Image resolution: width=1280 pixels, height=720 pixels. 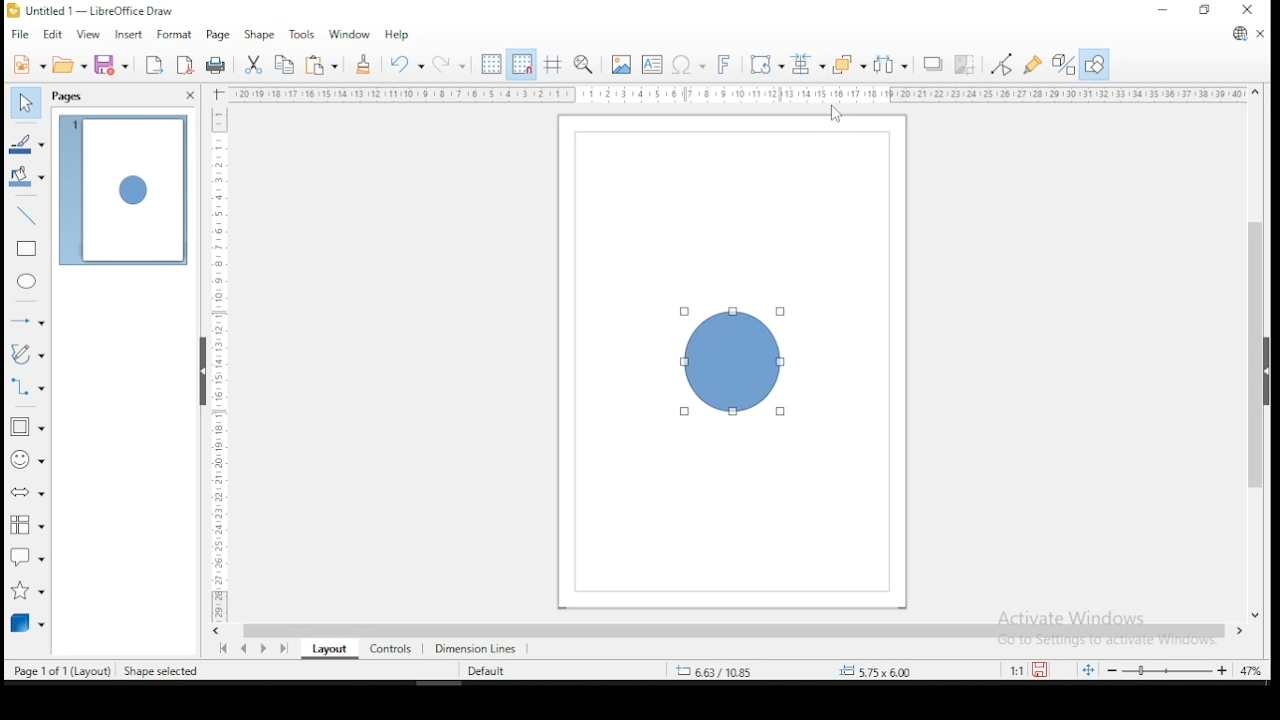 What do you see at coordinates (63, 669) in the screenshot?
I see `page 1 of 1 (layout)` at bounding box center [63, 669].